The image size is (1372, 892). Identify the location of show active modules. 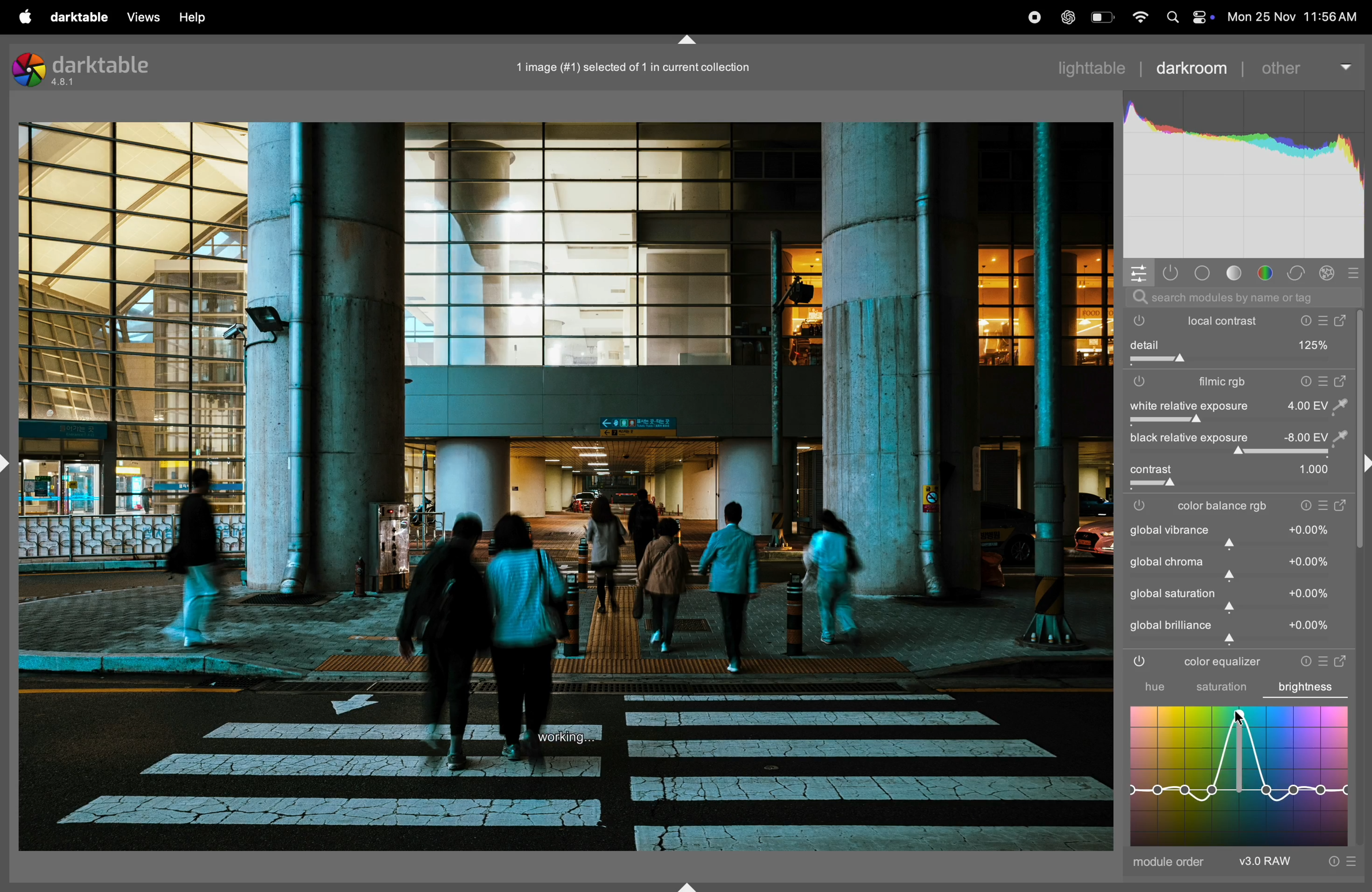
(1171, 271).